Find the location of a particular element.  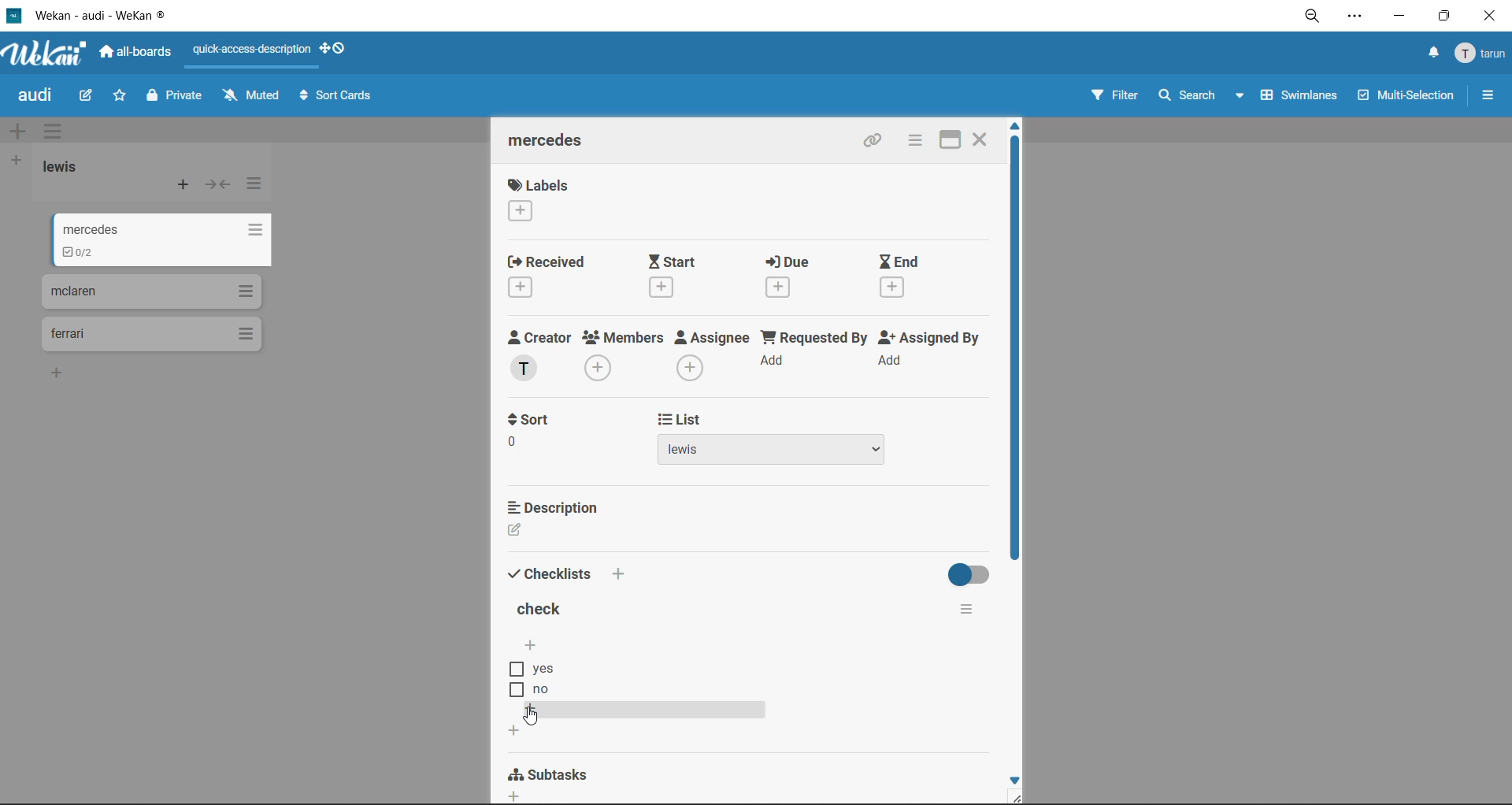

close is located at coordinates (1488, 18).